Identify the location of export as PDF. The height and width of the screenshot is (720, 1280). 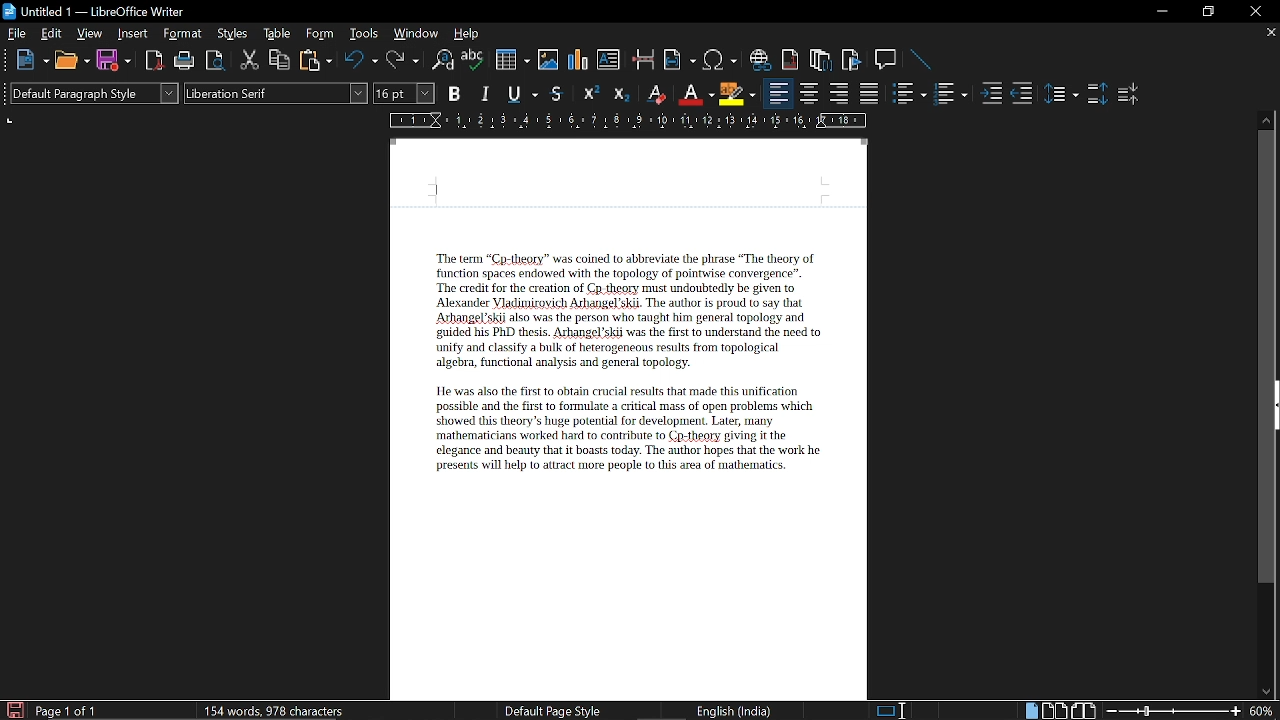
(155, 61).